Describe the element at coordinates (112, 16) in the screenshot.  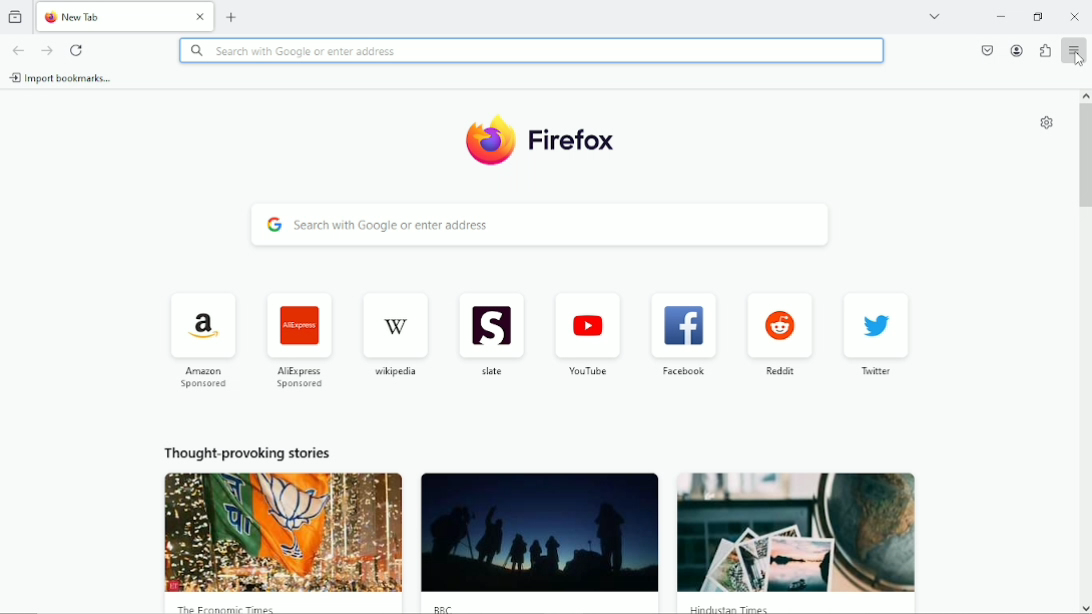
I see `current tab` at that location.